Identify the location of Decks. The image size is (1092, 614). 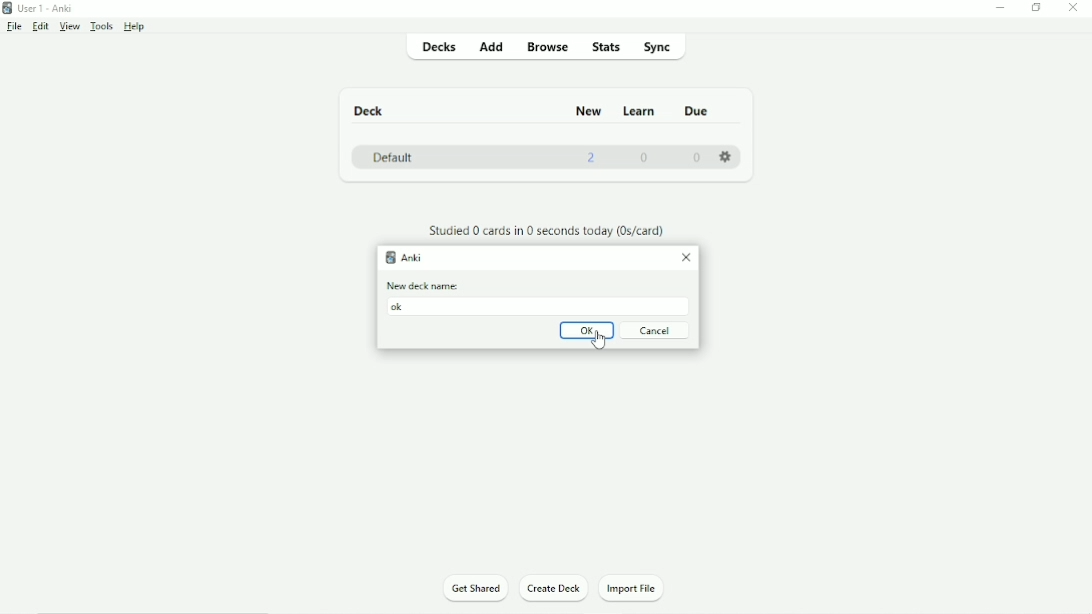
(437, 48).